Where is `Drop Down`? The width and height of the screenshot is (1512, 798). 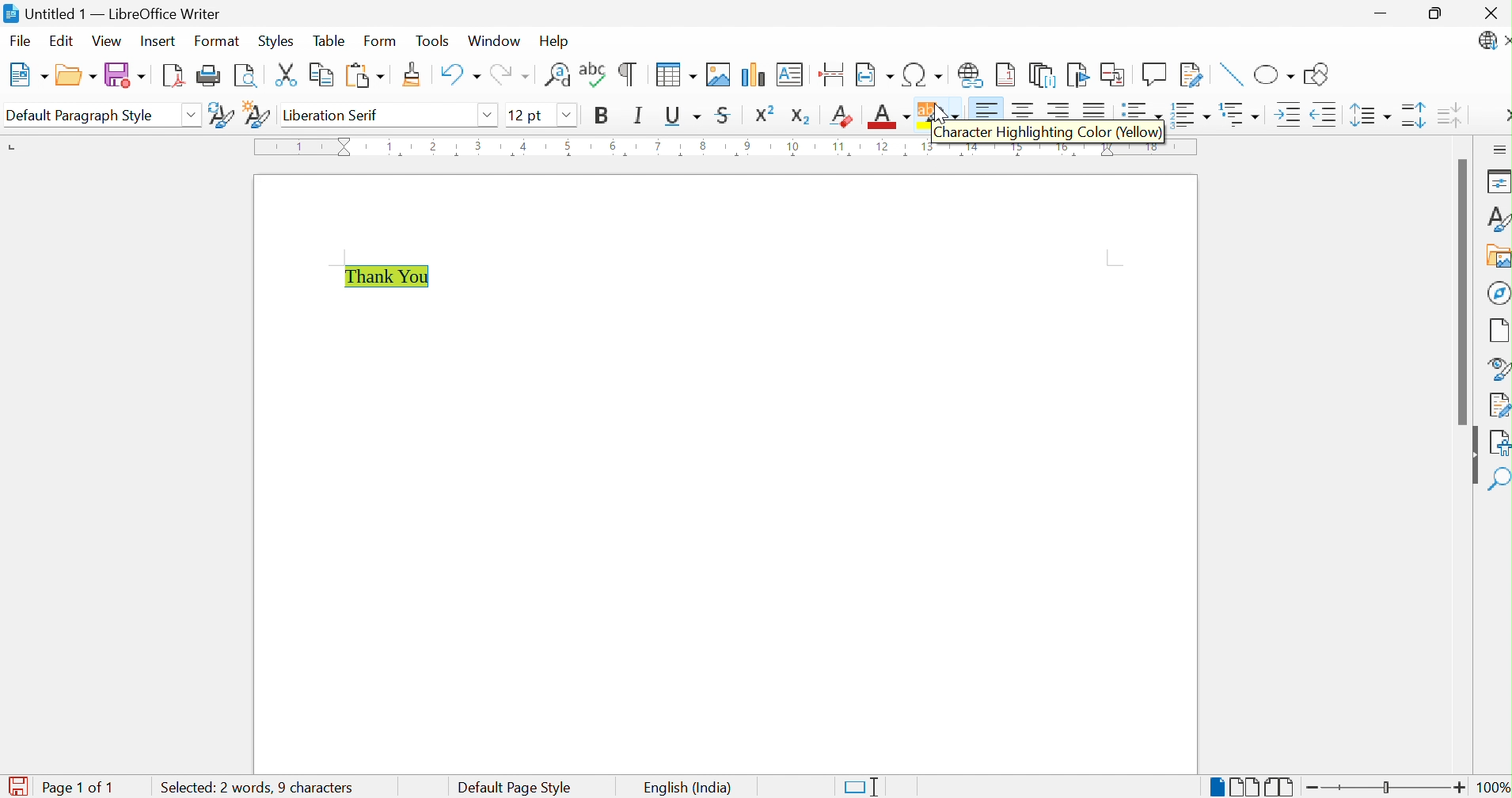 Drop Down is located at coordinates (192, 113).